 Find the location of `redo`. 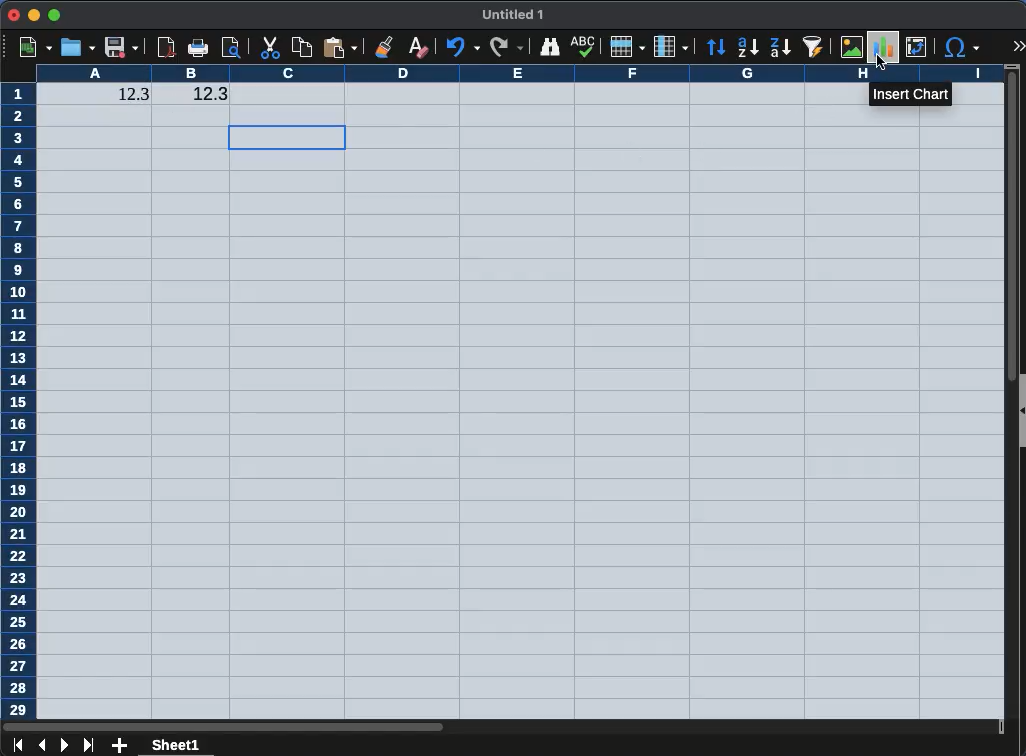

redo is located at coordinates (507, 48).